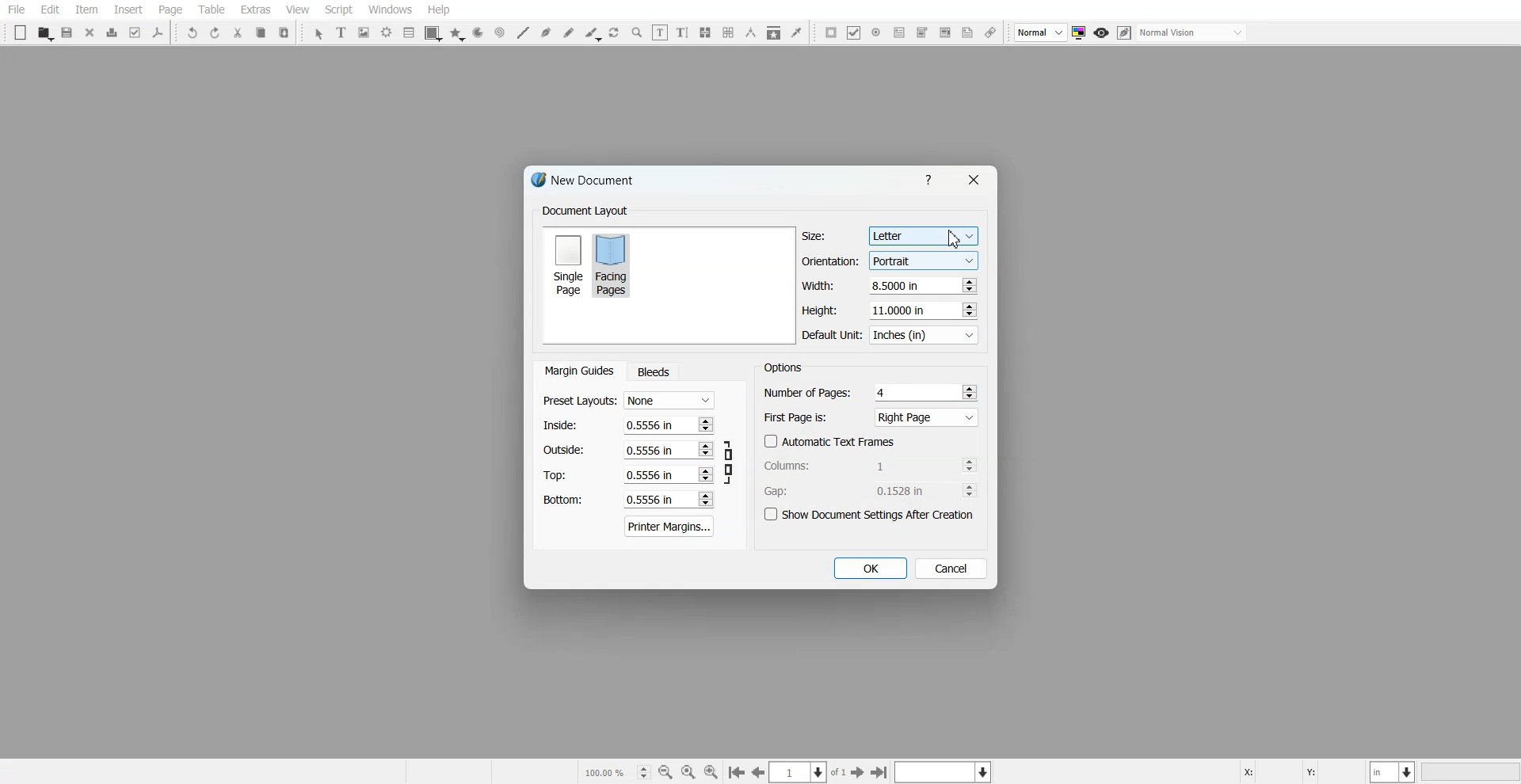  I want to click on PDF Radio Button, so click(876, 32).